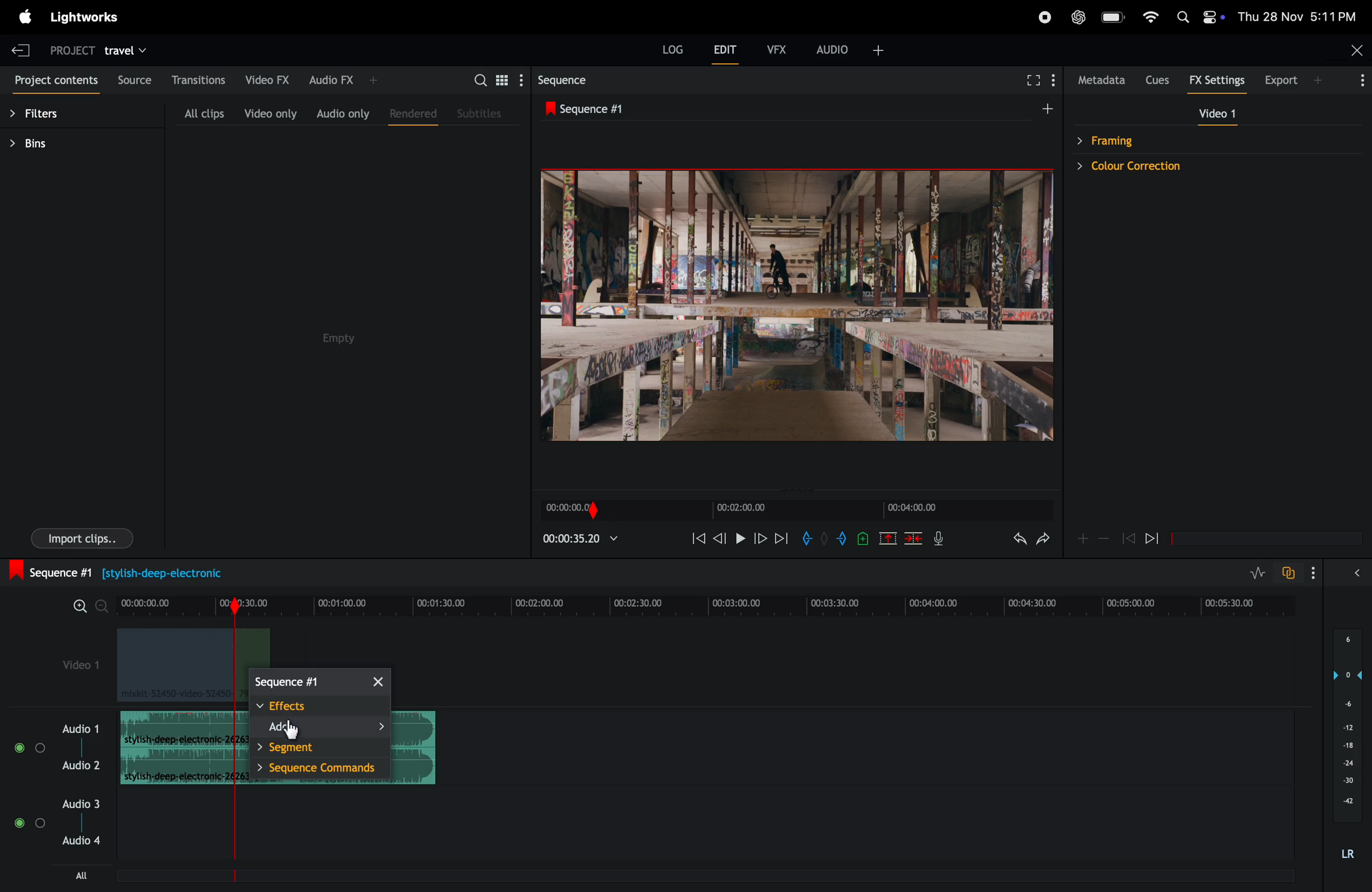 This screenshot has width=1372, height=892. Describe the element at coordinates (54, 82) in the screenshot. I see `project contents` at that location.